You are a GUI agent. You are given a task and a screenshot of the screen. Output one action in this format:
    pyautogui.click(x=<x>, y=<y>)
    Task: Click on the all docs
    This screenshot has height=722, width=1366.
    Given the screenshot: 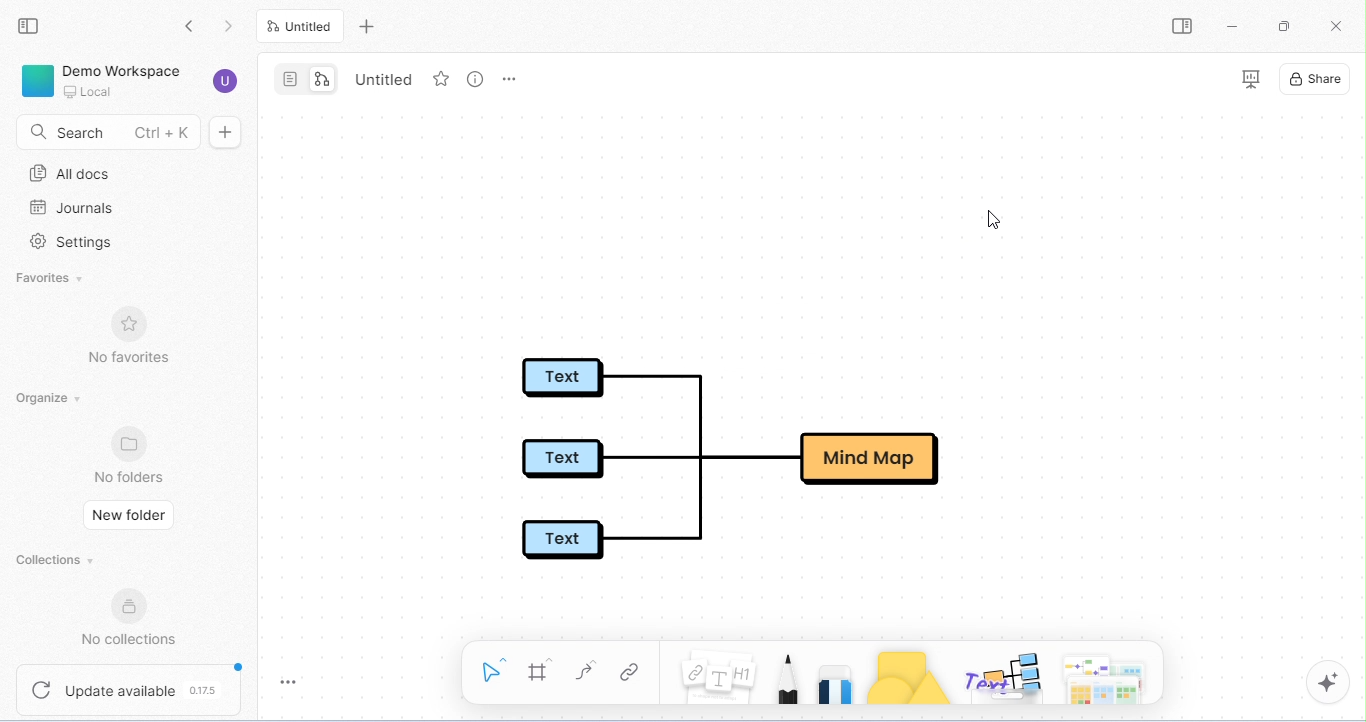 What is the action you would take?
    pyautogui.click(x=76, y=171)
    